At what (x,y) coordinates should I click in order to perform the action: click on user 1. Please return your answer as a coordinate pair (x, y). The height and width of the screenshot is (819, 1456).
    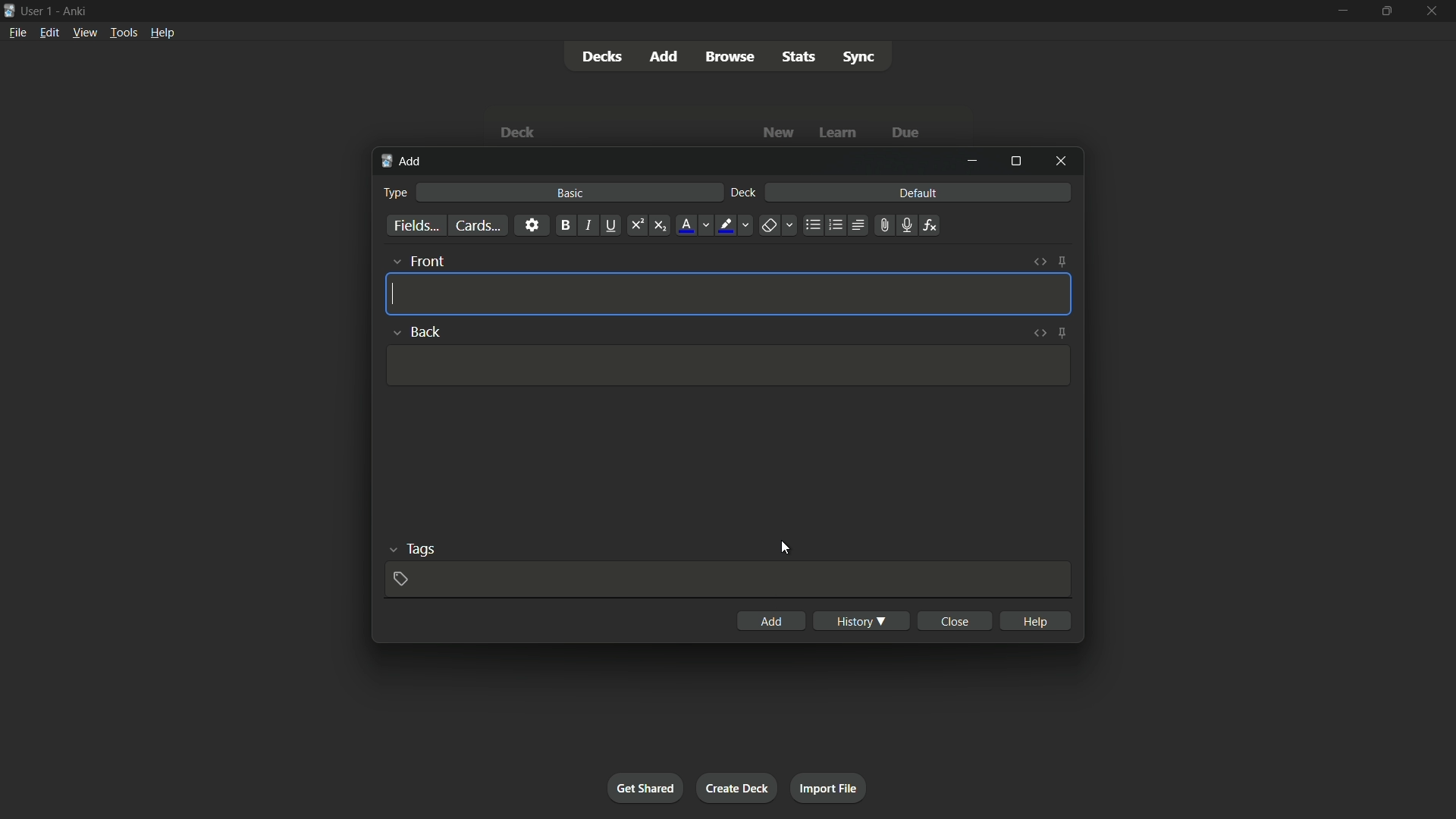
    Looking at the image, I should click on (39, 11).